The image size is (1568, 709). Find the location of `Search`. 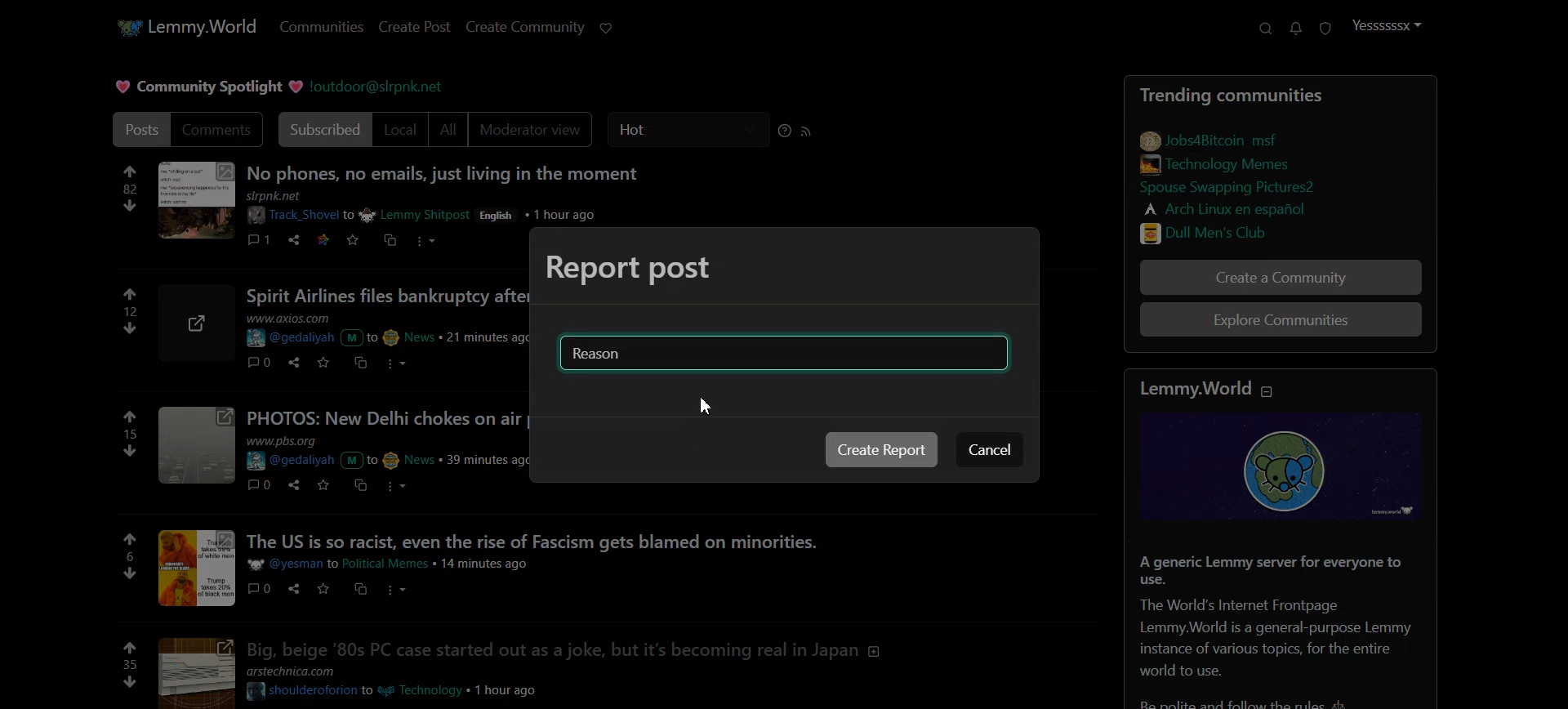

Search is located at coordinates (1265, 29).